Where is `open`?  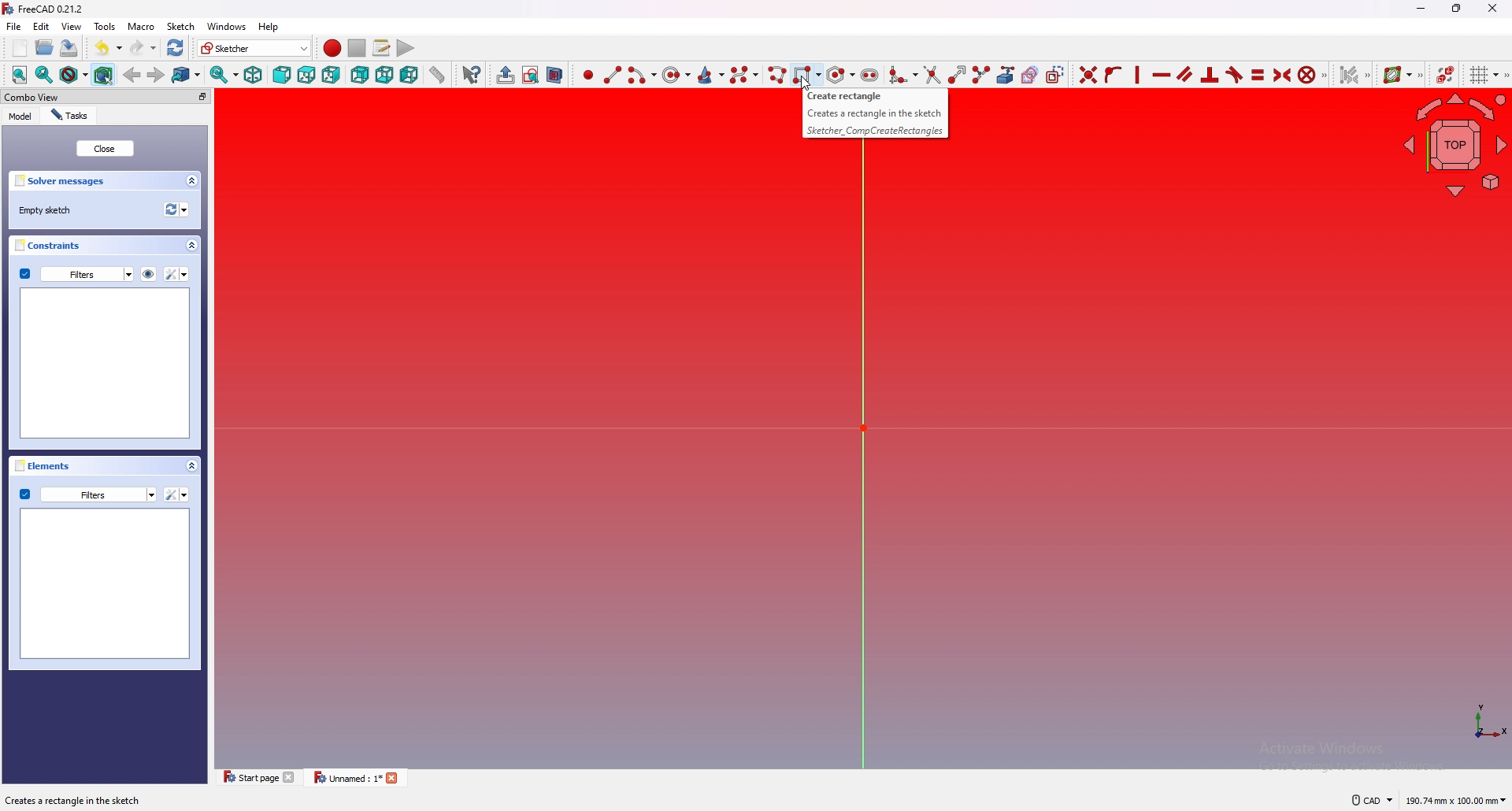
open is located at coordinates (45, 47).